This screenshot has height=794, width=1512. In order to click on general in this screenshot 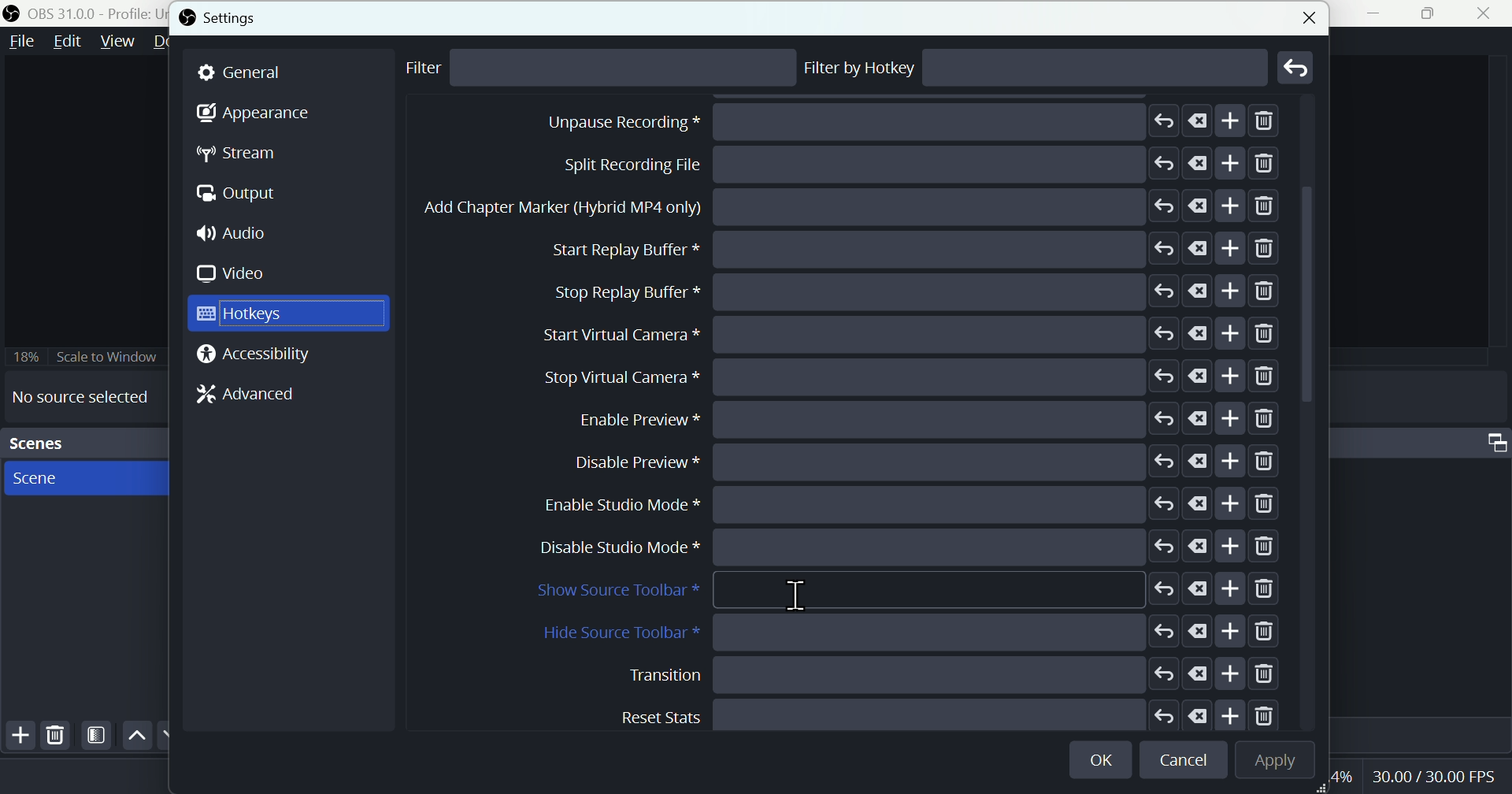, I will do `click(289, 72)`.